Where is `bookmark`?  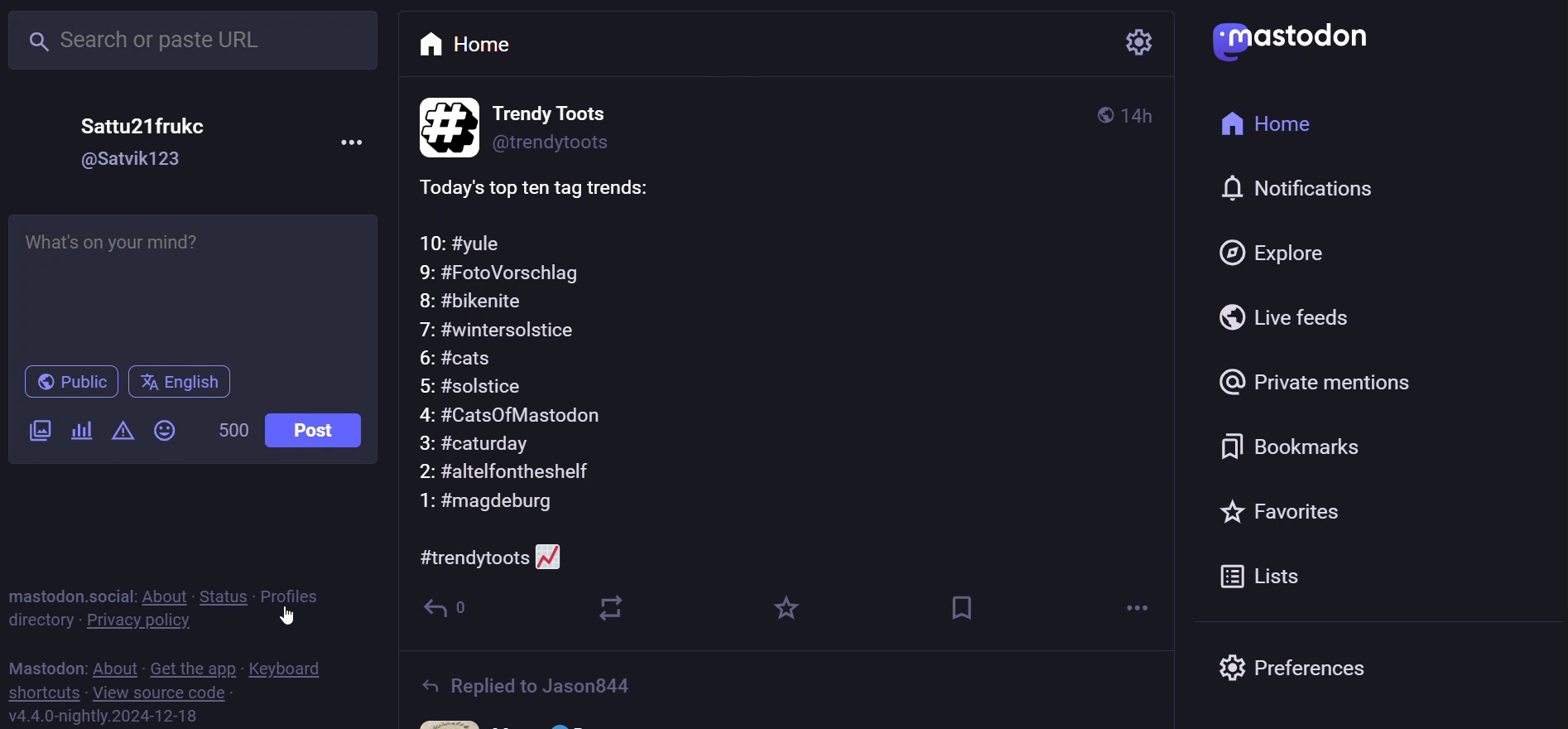
bookmark is located at coordinates (960, 608).